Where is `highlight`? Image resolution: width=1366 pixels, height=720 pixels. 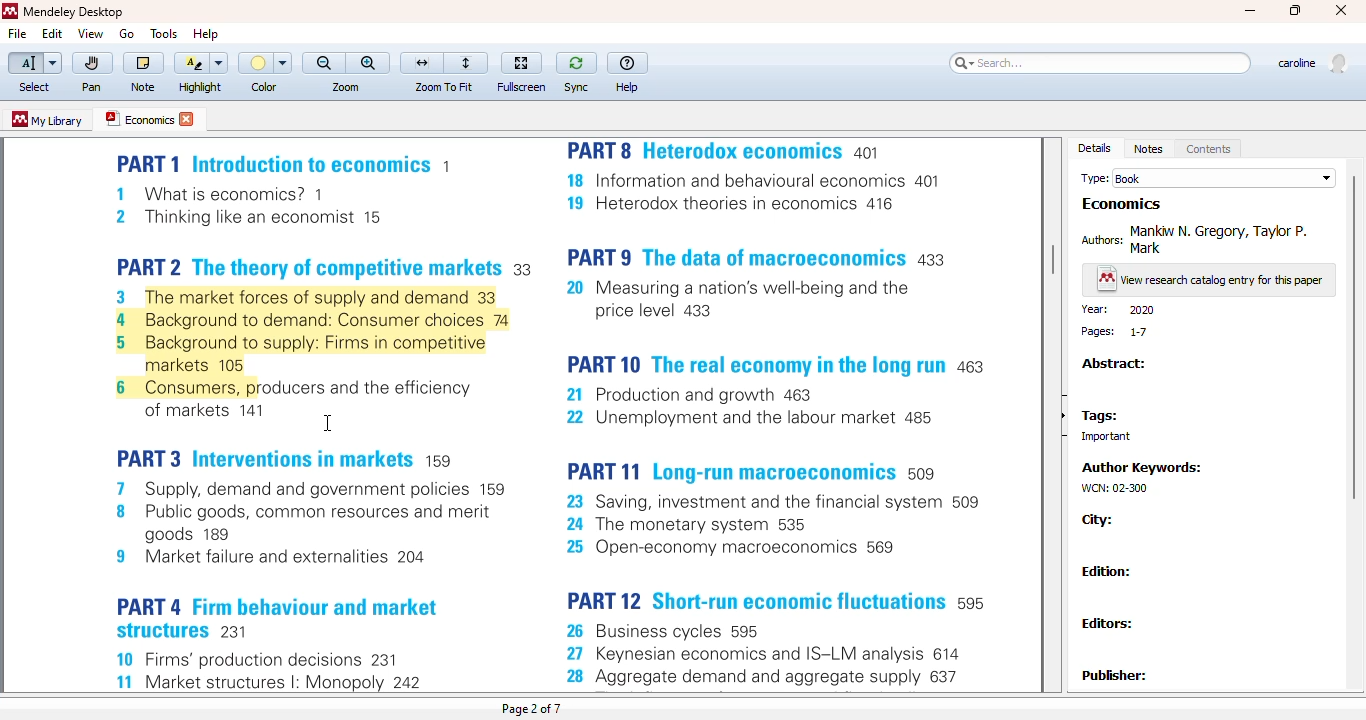
highlight is located at coordinates (201, 87).